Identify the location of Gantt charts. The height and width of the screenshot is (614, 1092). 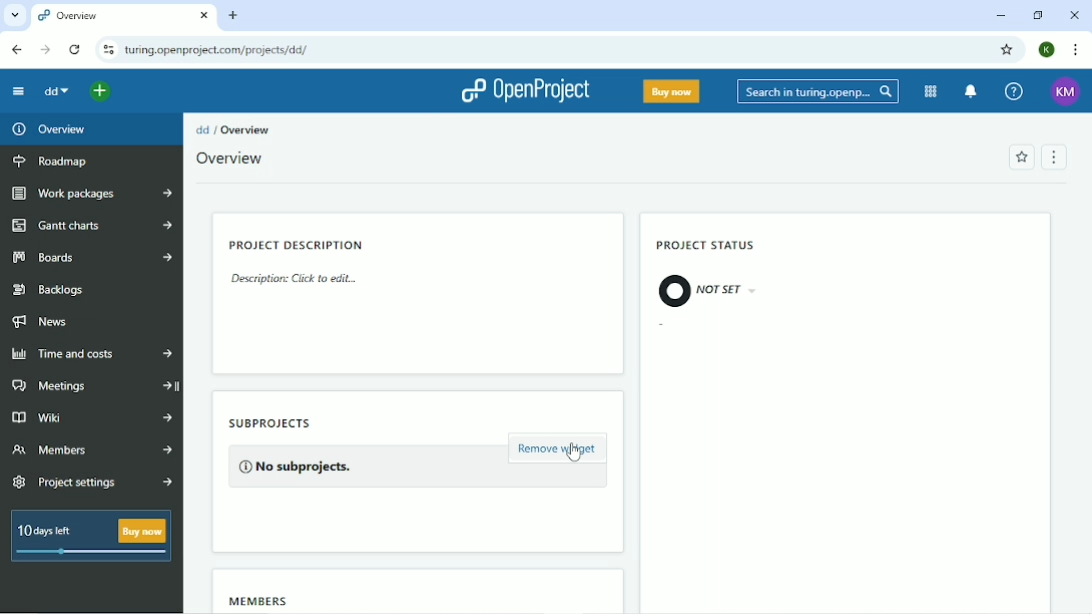
(91, 225).